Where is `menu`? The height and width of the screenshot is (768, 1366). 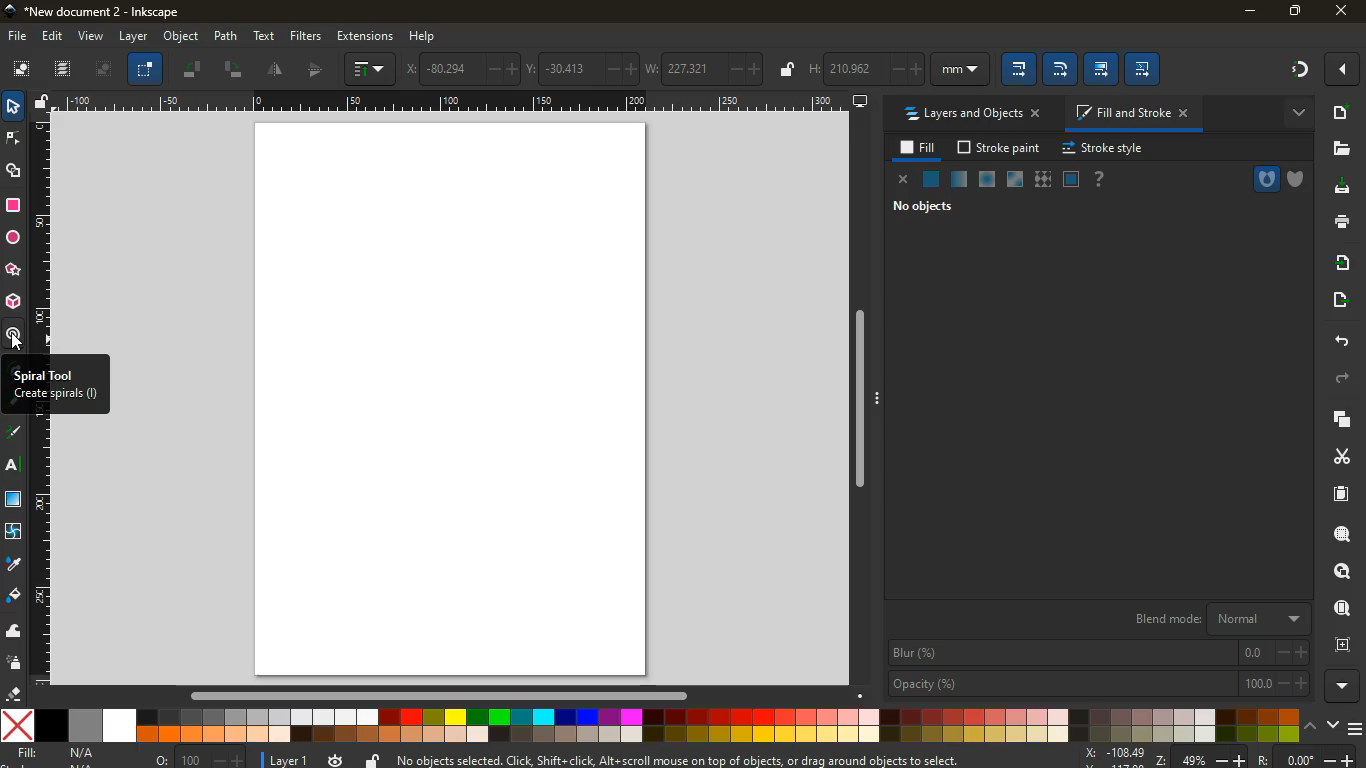 menu is located at coordinates (1357, 729).